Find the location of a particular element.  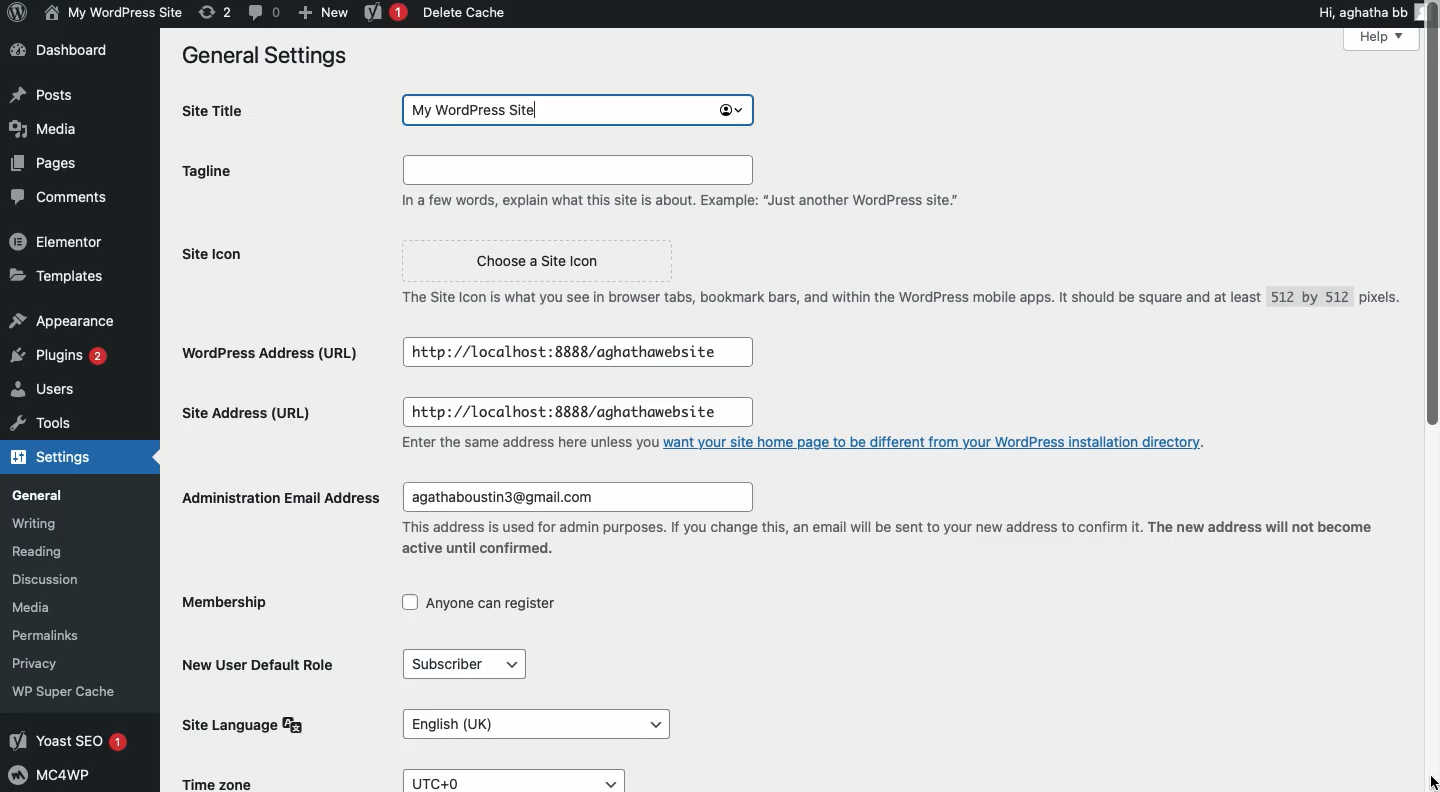

Revision is located at coordinates (215, 12).